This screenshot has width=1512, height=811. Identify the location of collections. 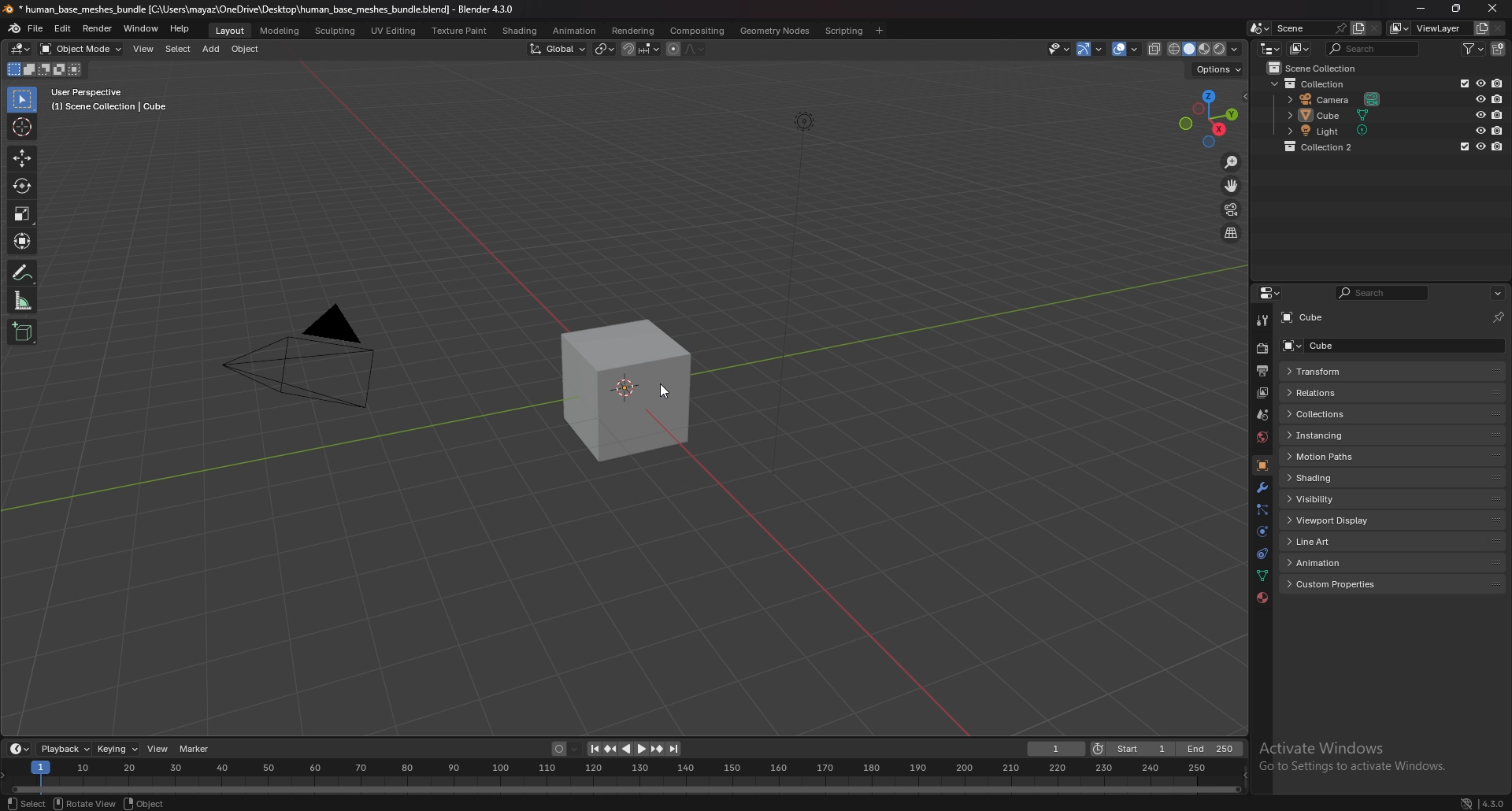
(1340, 414).